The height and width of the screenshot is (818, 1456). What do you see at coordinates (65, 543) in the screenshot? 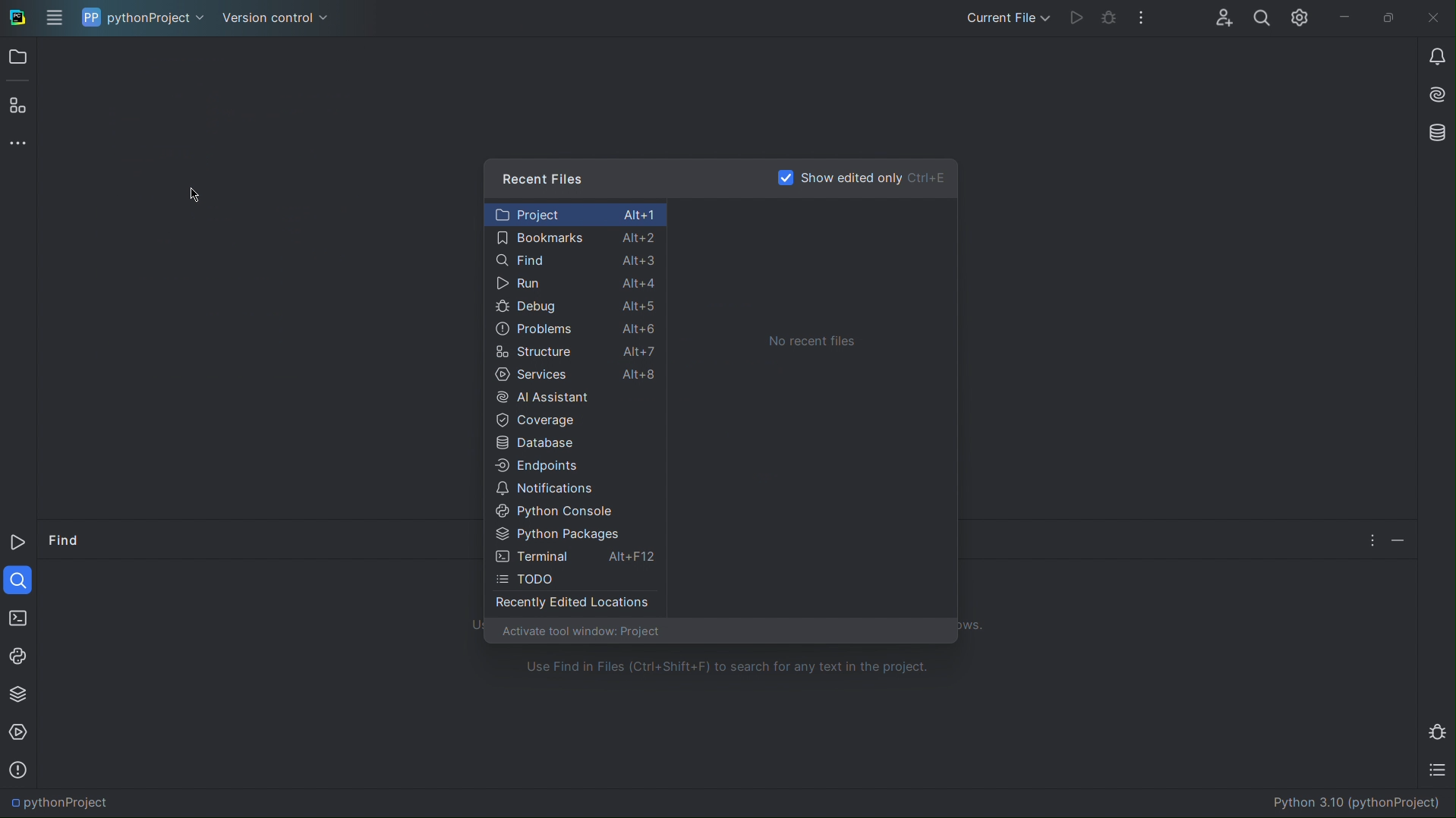
I see `Find` at bounding box center [65, 543].